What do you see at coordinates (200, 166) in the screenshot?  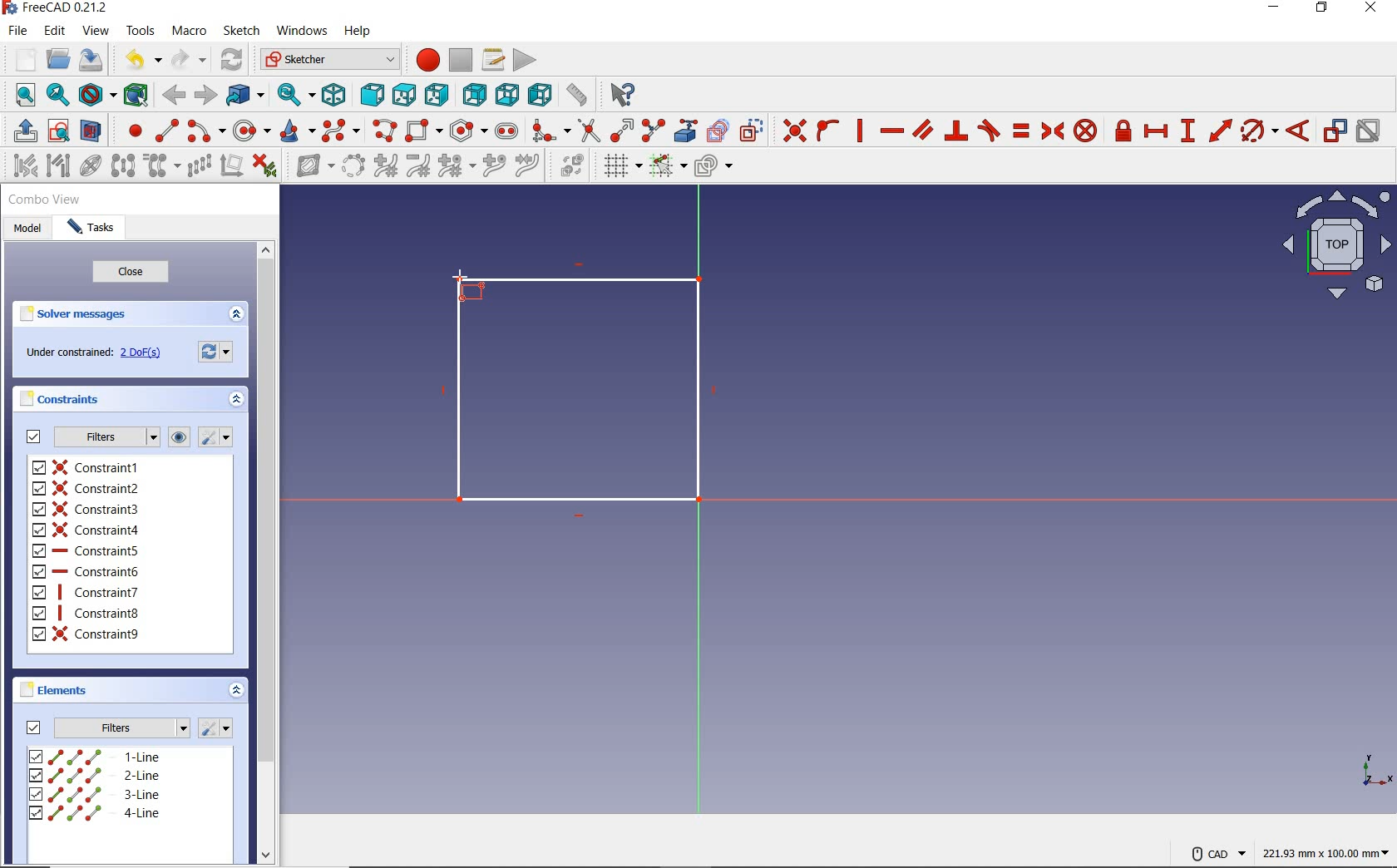 I see `rectangular array` at bounding box center [200, 166].